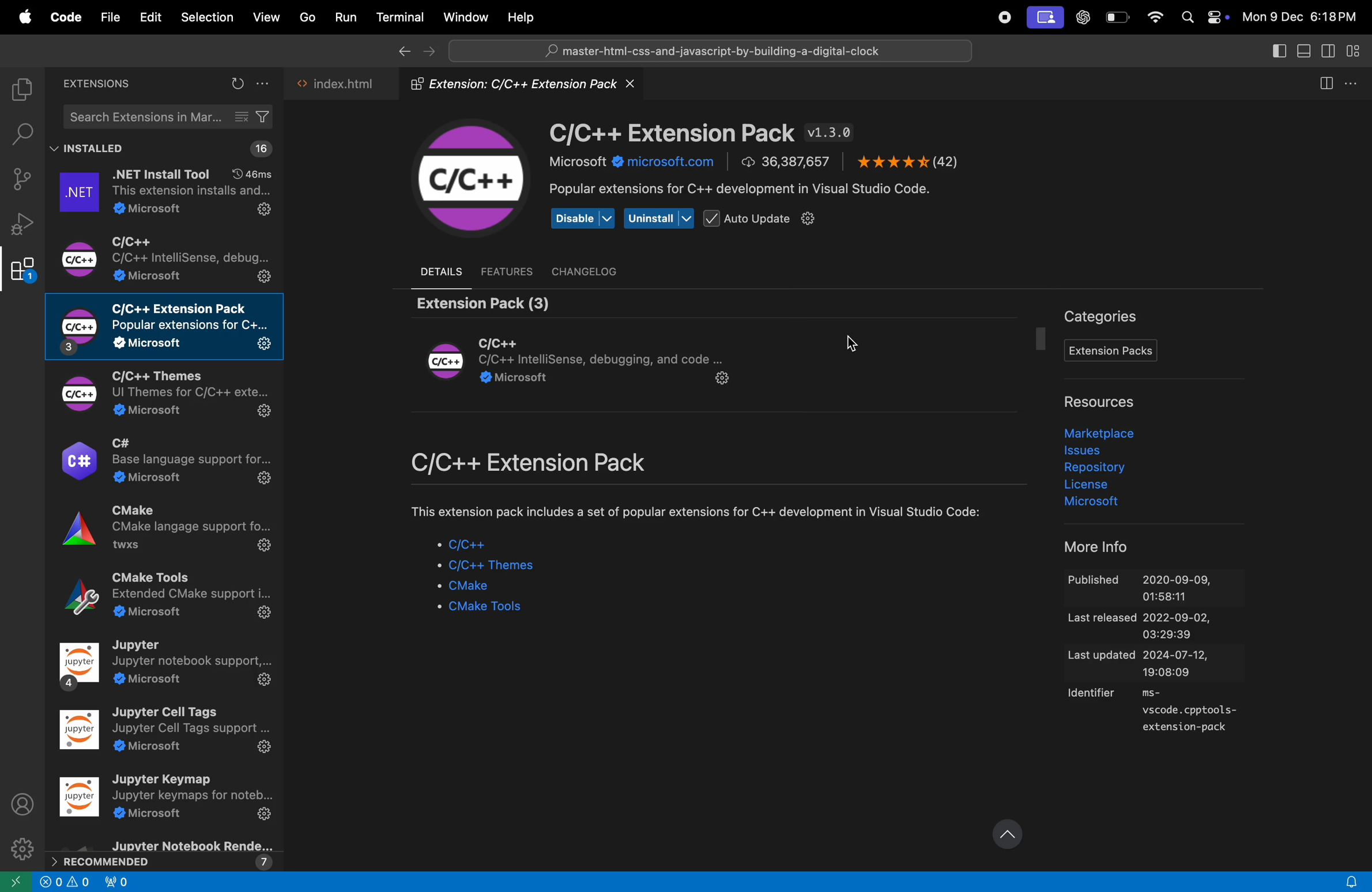 Image resolution: width=1372 pixels, height=892 pixels. Describe the element at coordinates (159, 394) in the screenshot. I see `C/C++ themes` at that location.